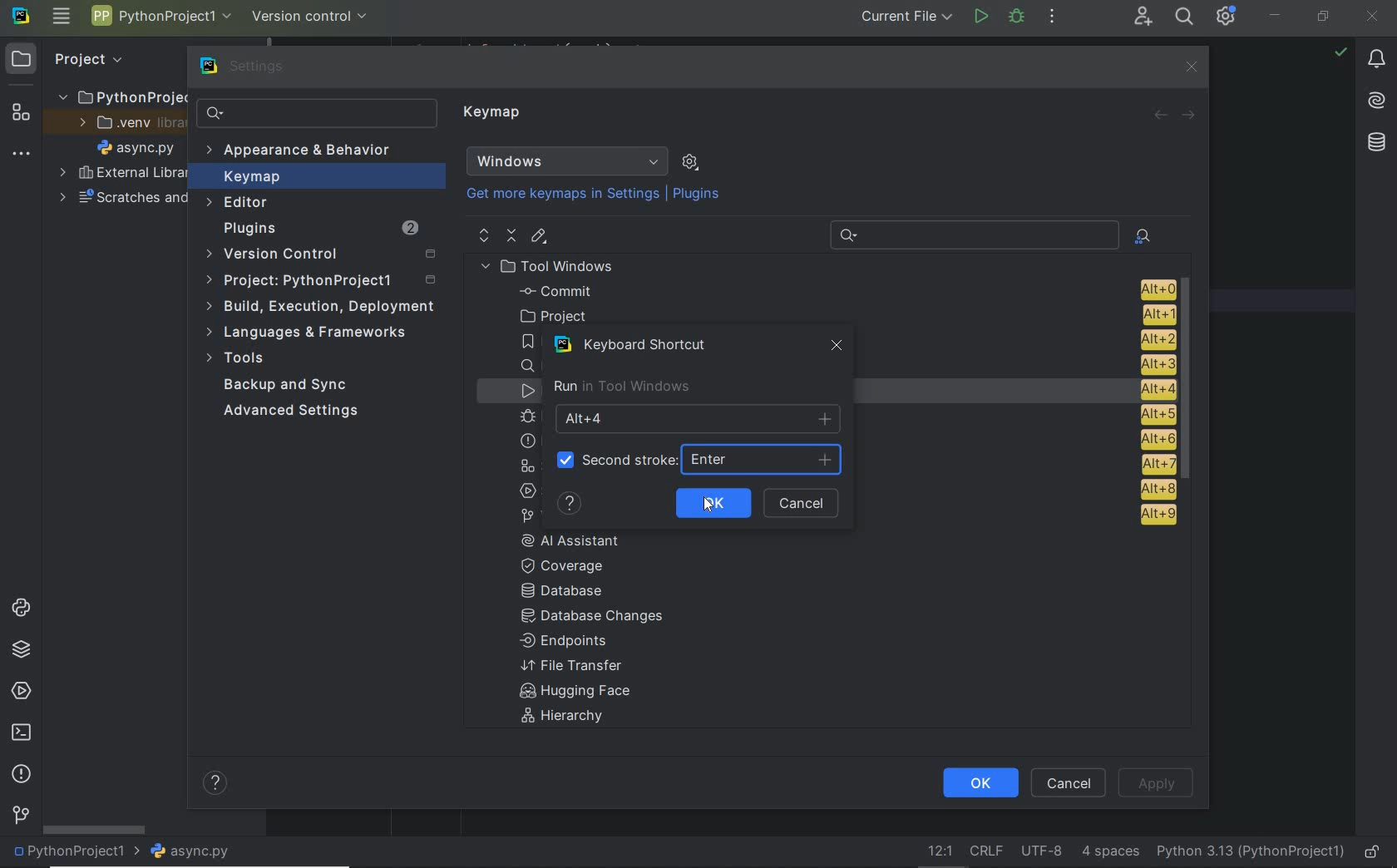 This screenshot has width=1397, height=868. I want to click on run, so click(980, 18).